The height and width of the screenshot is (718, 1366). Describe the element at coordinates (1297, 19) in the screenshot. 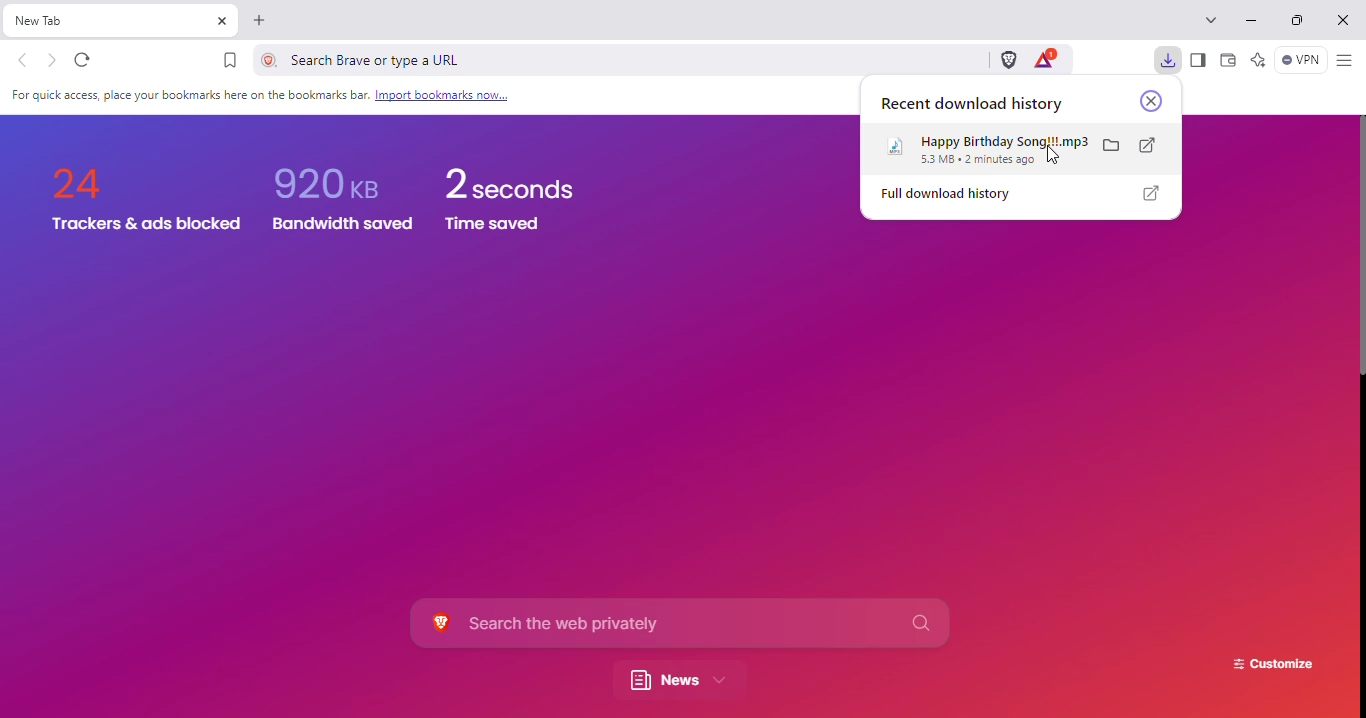

I see `maximize` at that location.